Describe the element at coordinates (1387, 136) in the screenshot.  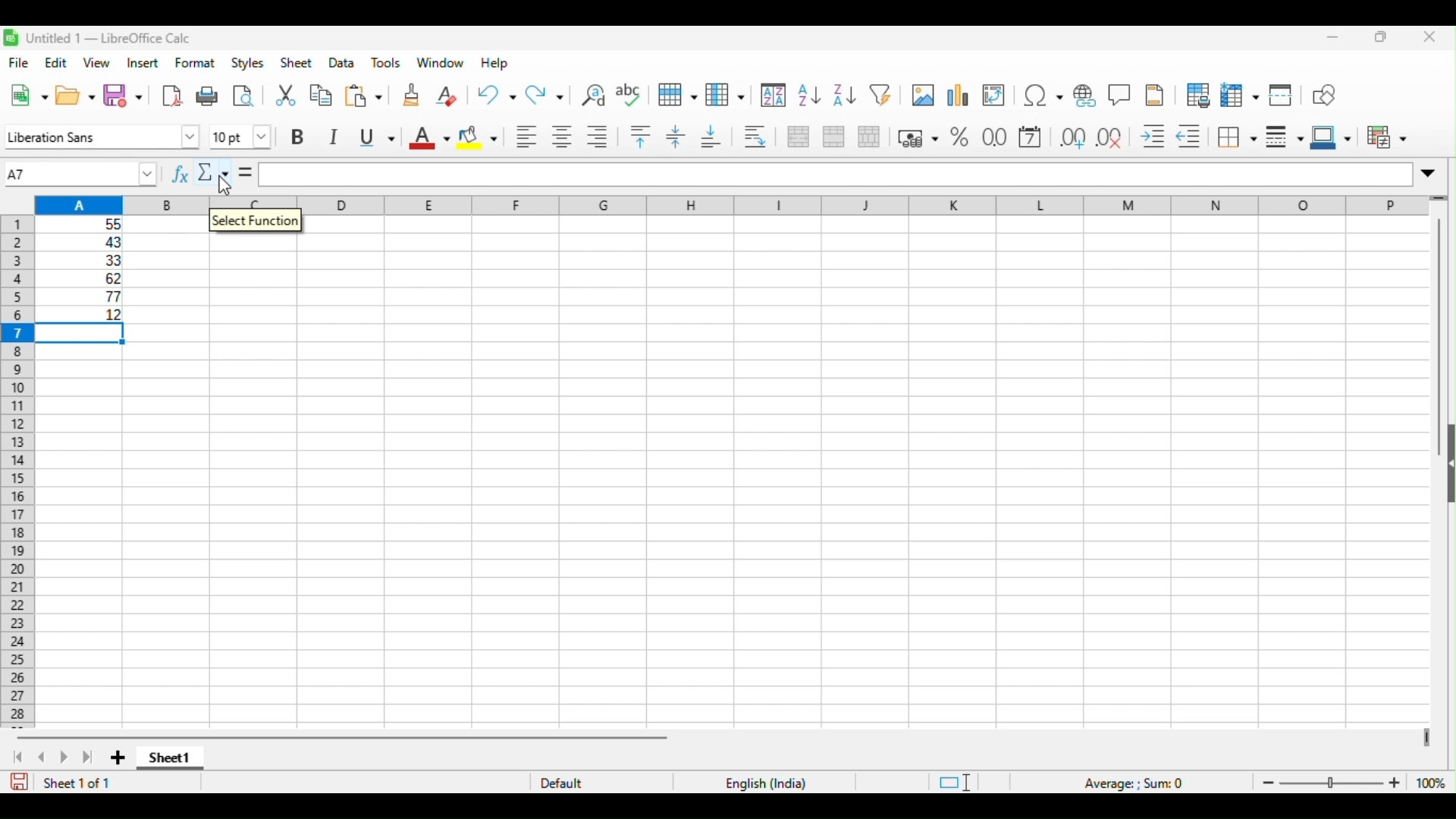
I see `conditional` at that location.